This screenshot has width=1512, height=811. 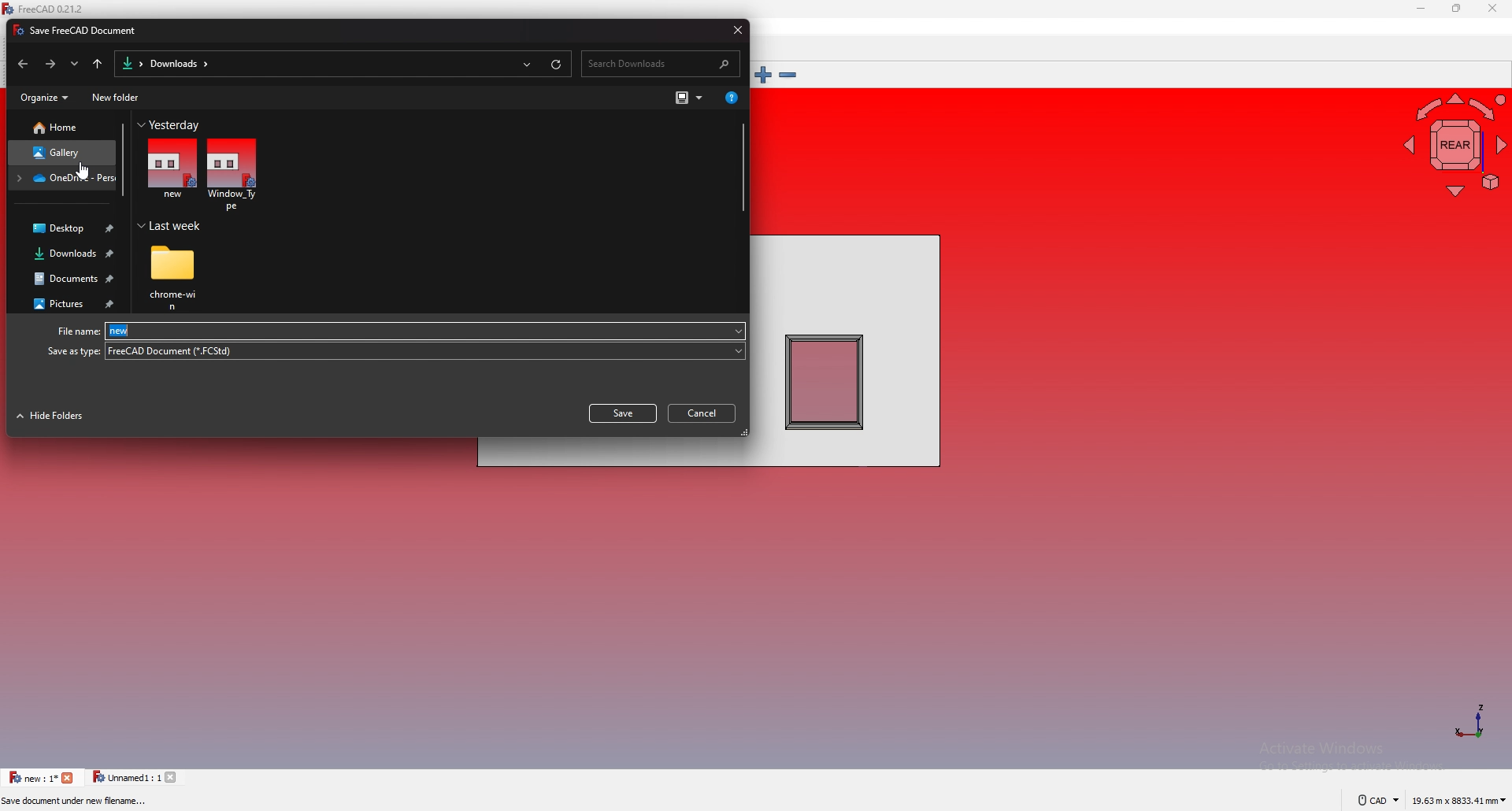 What do you see at coordinates (661, 62) in the screenshot?
I see `search bar` at bounding box center [661, 62].